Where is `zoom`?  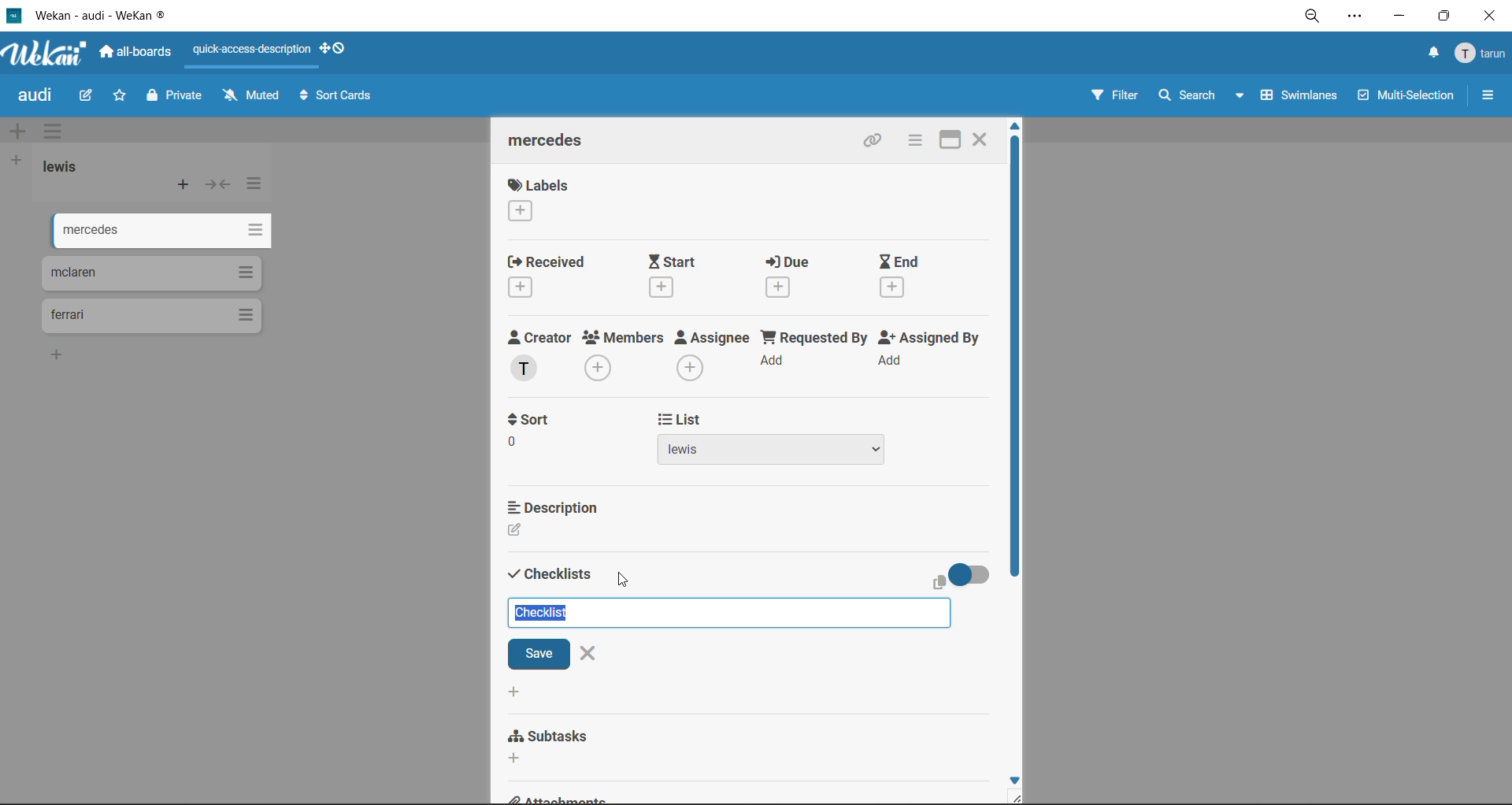
zoom is located at coordinates (1318, 20).